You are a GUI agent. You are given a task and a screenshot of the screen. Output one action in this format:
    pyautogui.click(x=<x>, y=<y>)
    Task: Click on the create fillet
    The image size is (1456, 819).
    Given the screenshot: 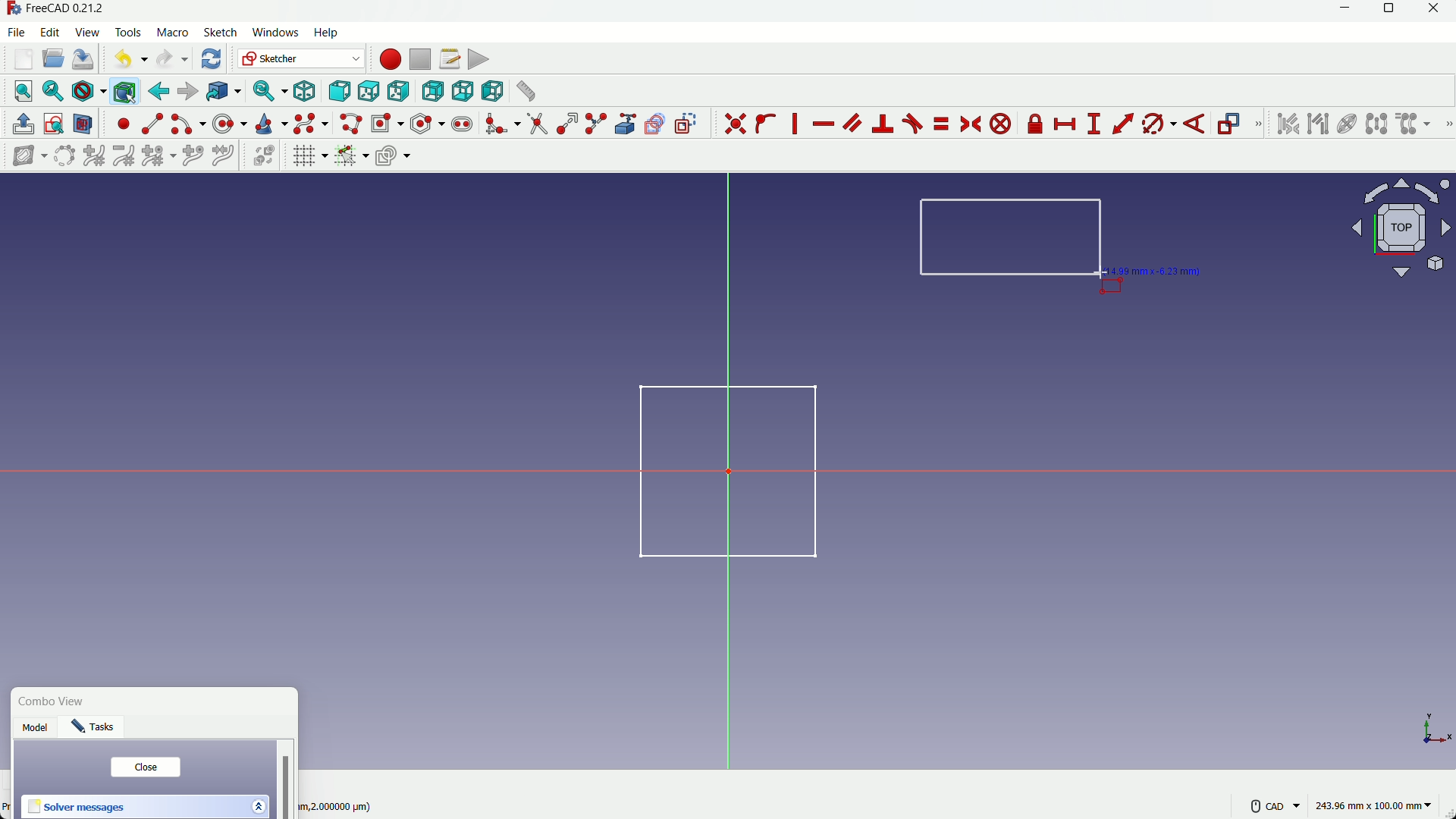 What is the action you would take?
    pyautogui.click(x=501, y=124)
    